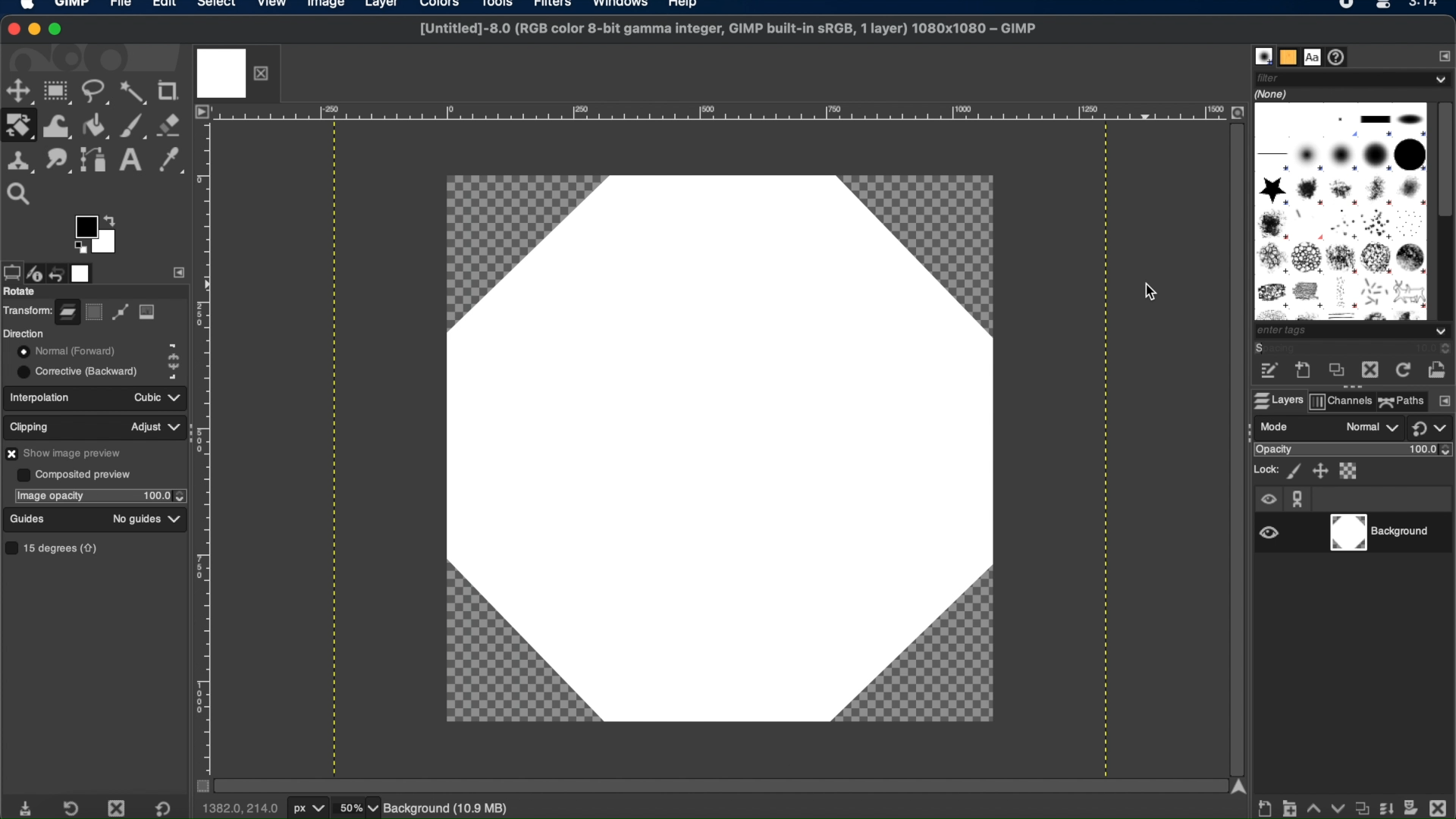  Describe the element at coordinates (1354, 332) in the screenshot. I see `tags dropdown` at that location.